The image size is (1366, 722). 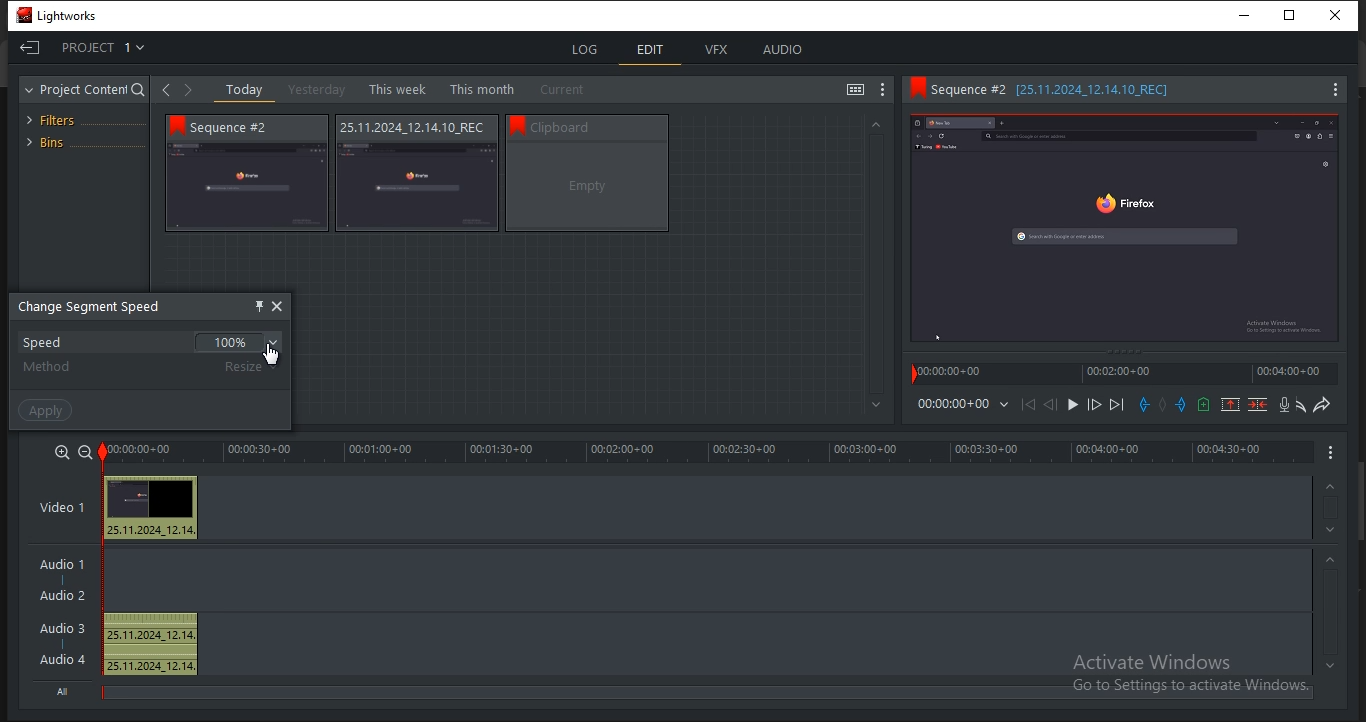 What do you see at coordinates (242, 127) in the screenshot?
I see `Sequence # 2` at bounding box center [242, 127].